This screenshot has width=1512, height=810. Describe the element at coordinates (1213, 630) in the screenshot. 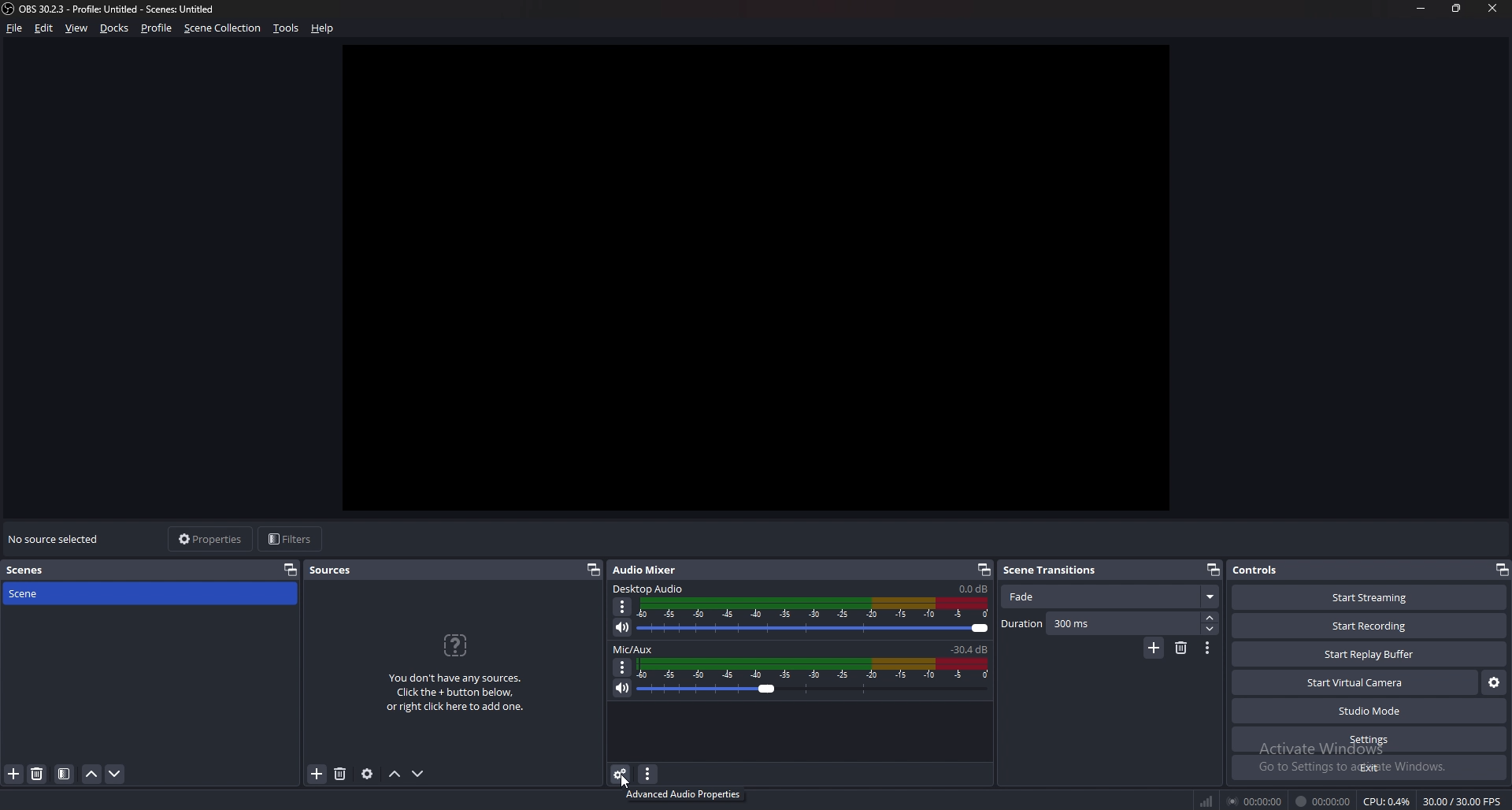

I see `decrease duration` at that location.